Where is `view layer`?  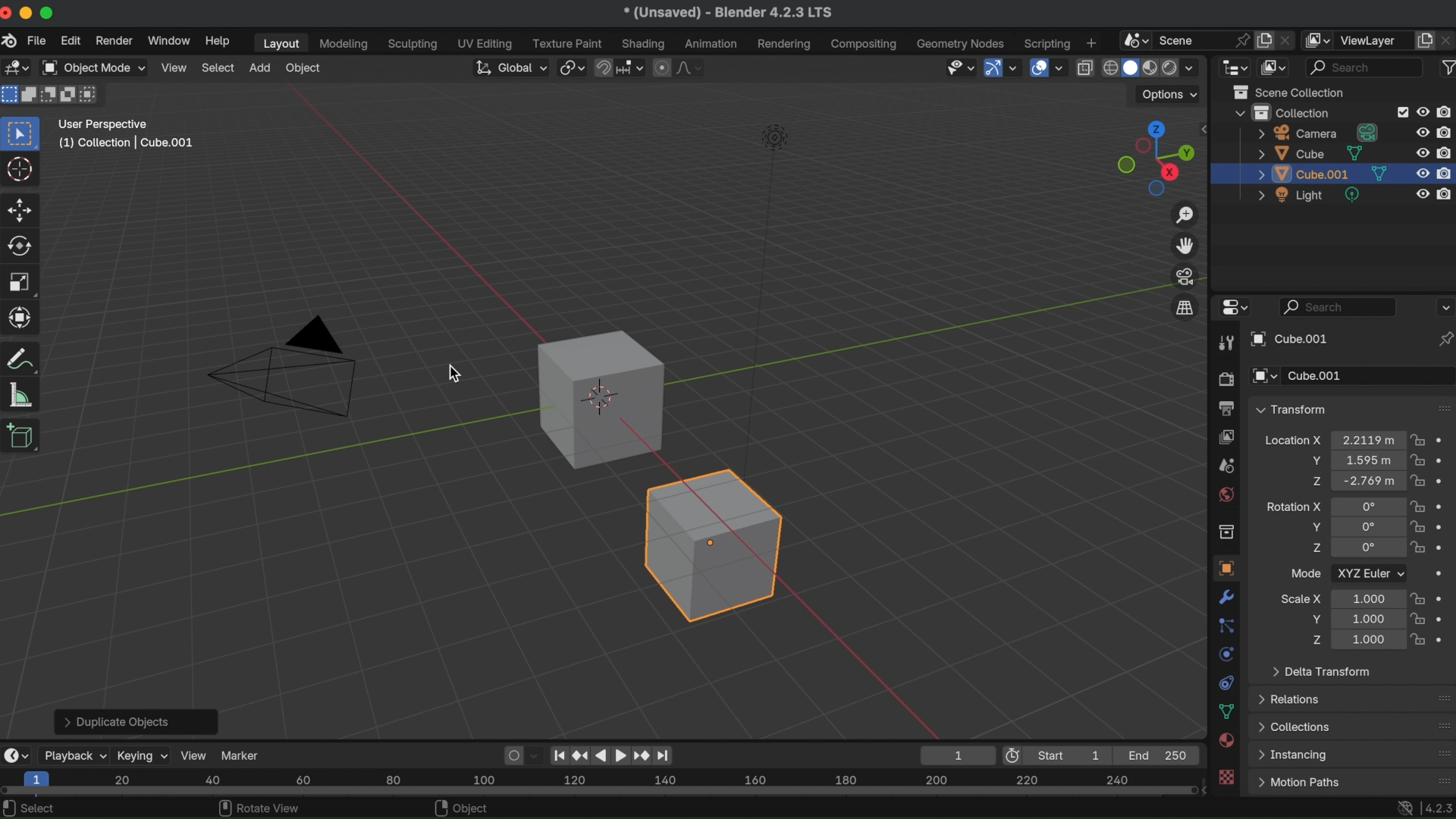 view layer is located at coordinates (1225, 436).